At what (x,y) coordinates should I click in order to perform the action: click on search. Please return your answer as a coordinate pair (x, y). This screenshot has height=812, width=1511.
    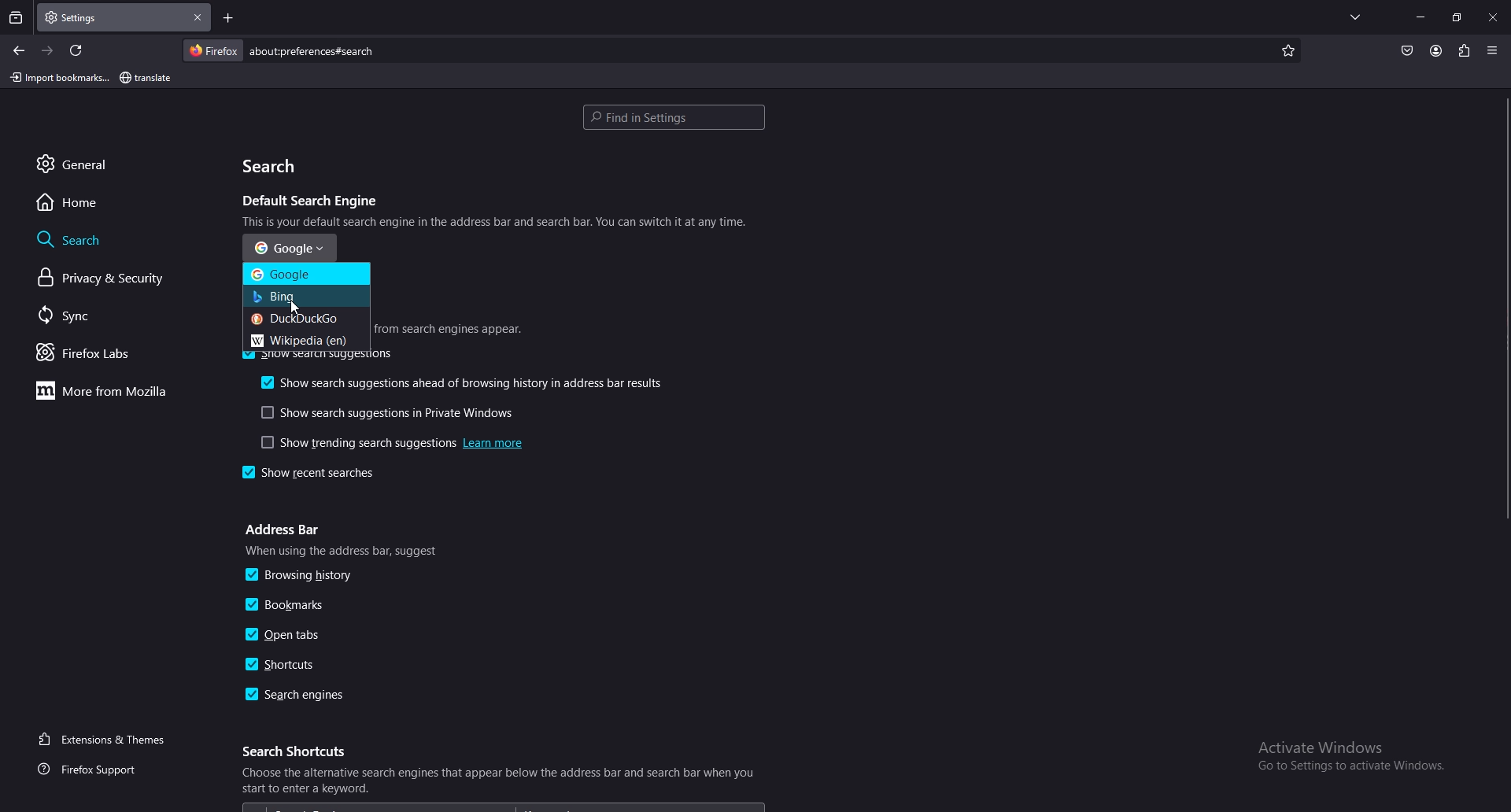
    Looking at the image, I should click on (720, 51).